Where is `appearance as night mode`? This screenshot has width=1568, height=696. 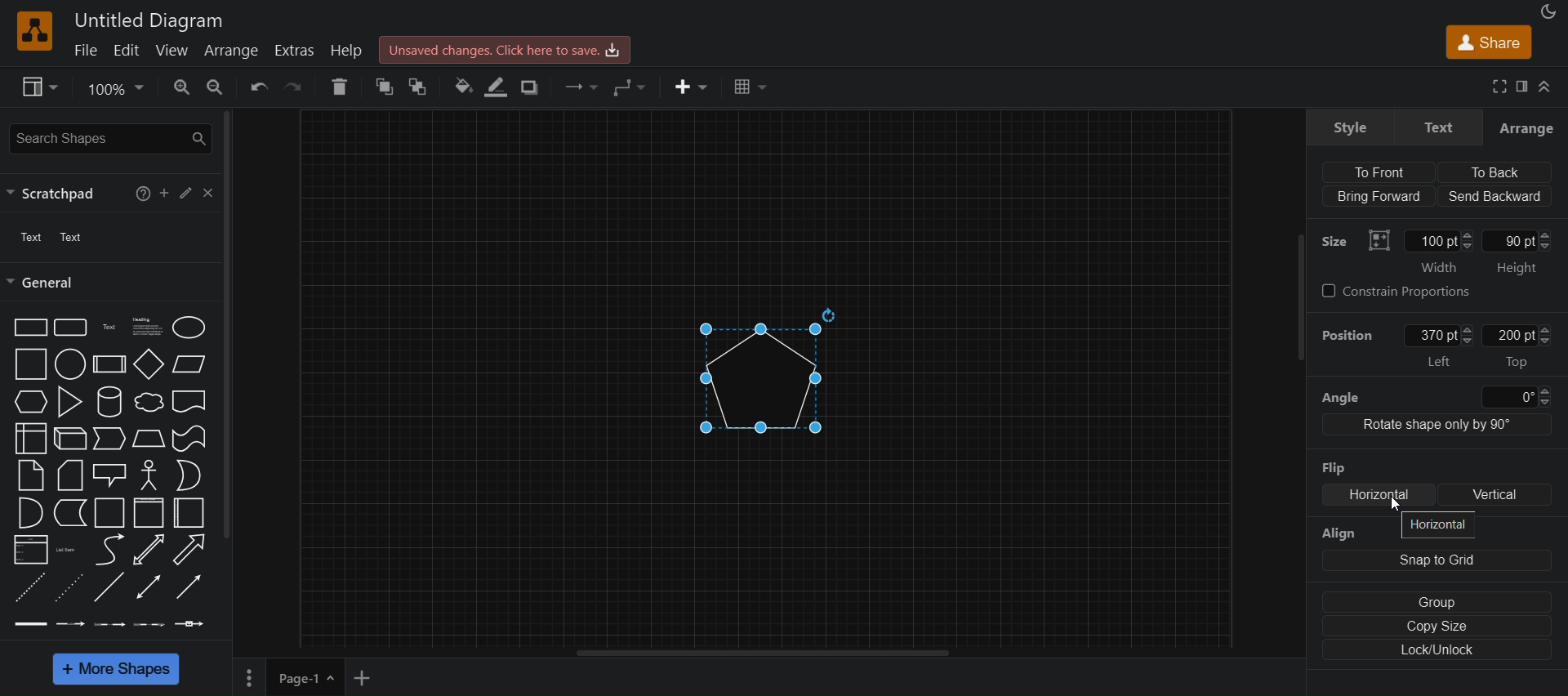
appearance as night mode is located at coordinates (1549, 11).